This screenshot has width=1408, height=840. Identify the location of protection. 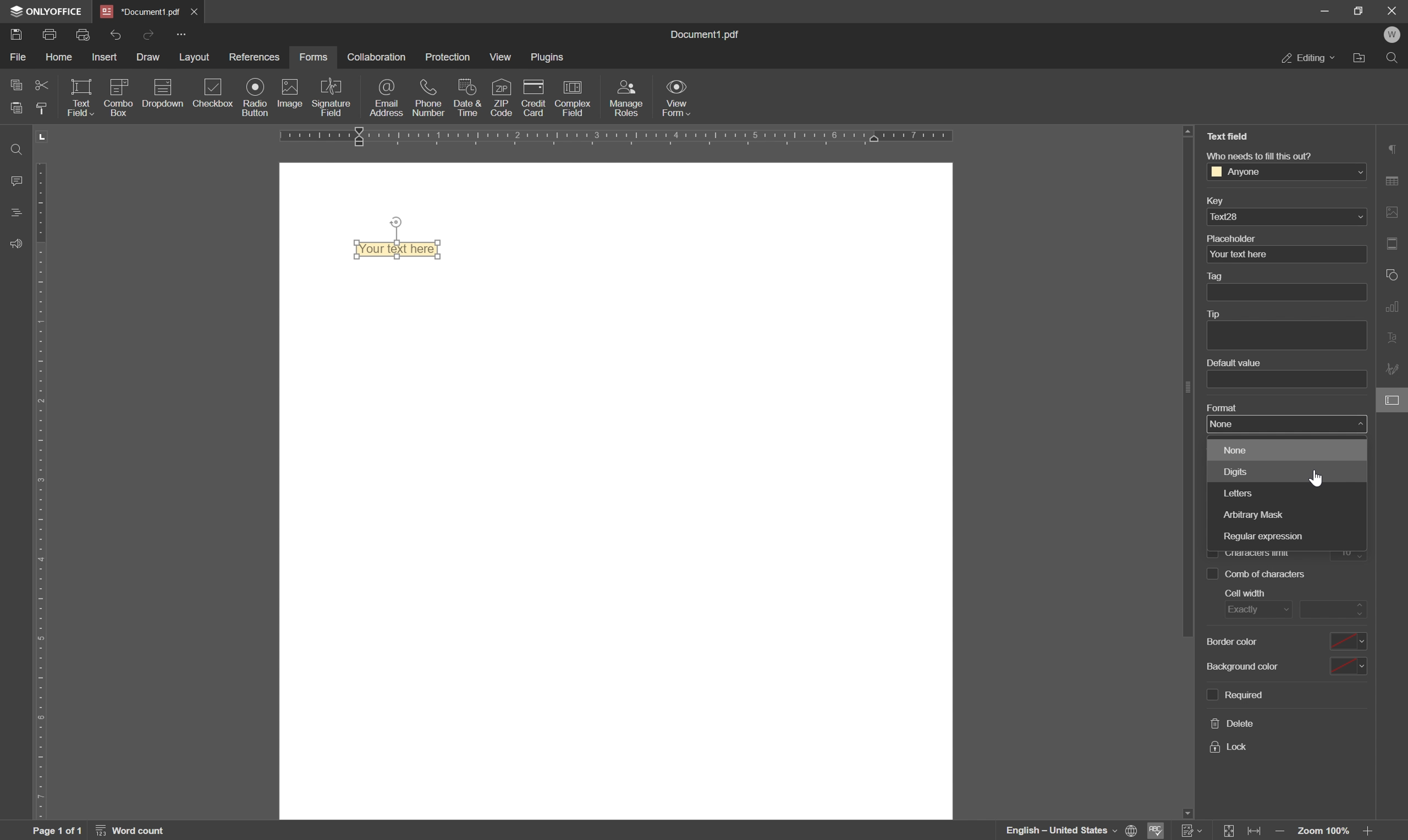
(450, 58).